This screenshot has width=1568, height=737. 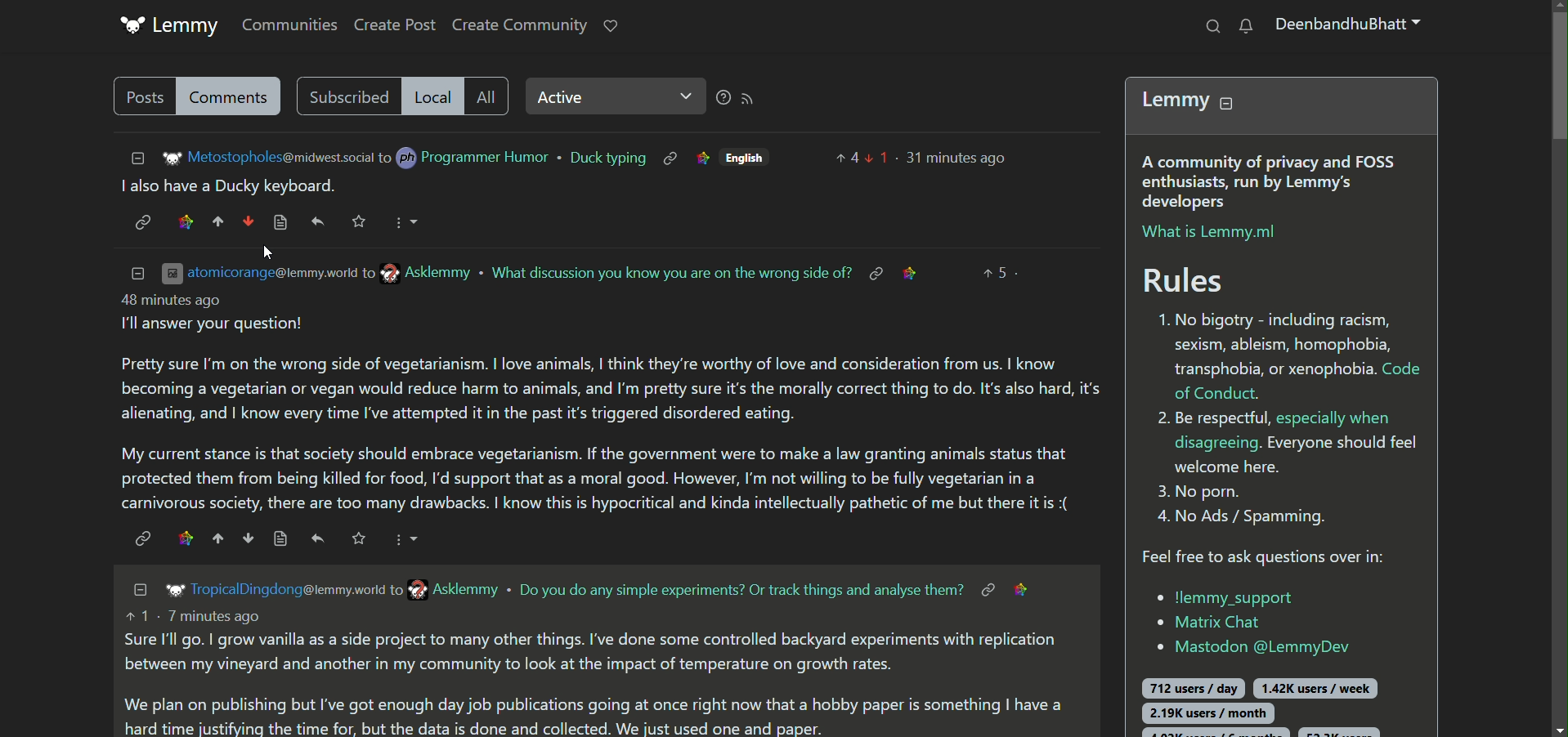 What do you see at coordinates (141, 96) in the screenshot?
I see `post button` at bounding box center [141, 96].